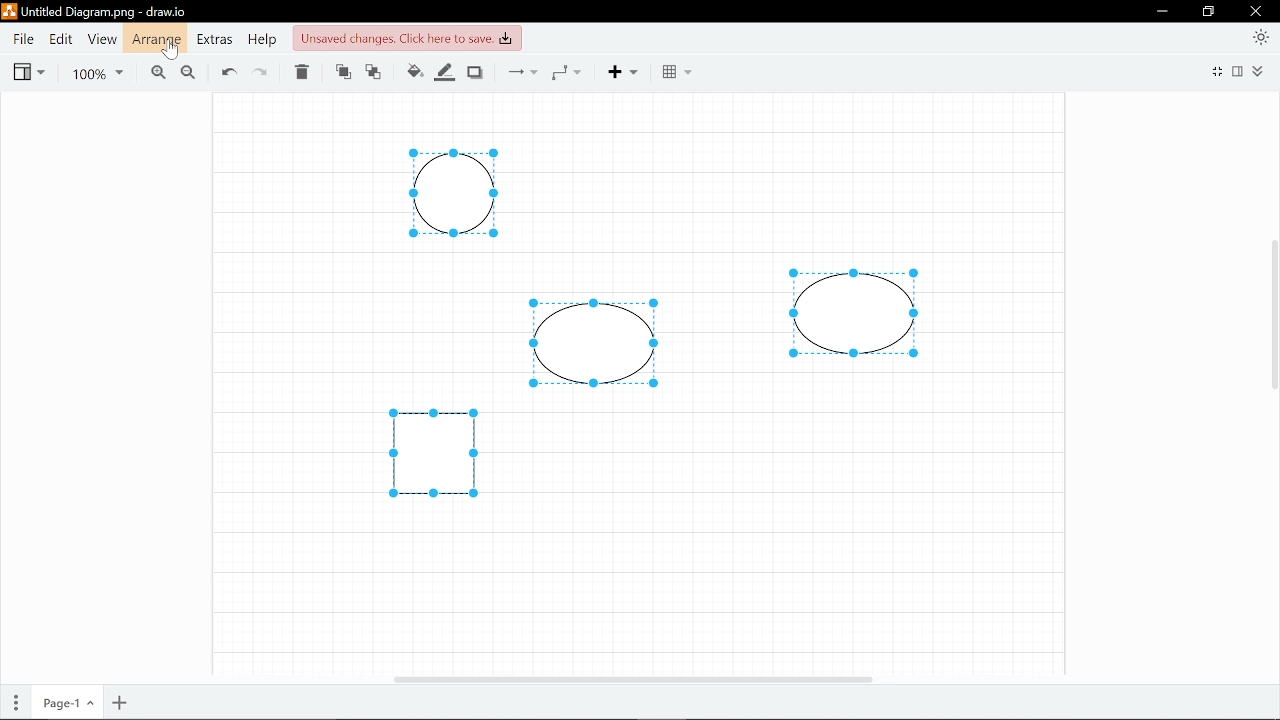 Image resolution: width=1280 pixels, height=720 pixels. Describe the element at coordinates (264, 72) in the screenshot. I see `Redo` at that location.